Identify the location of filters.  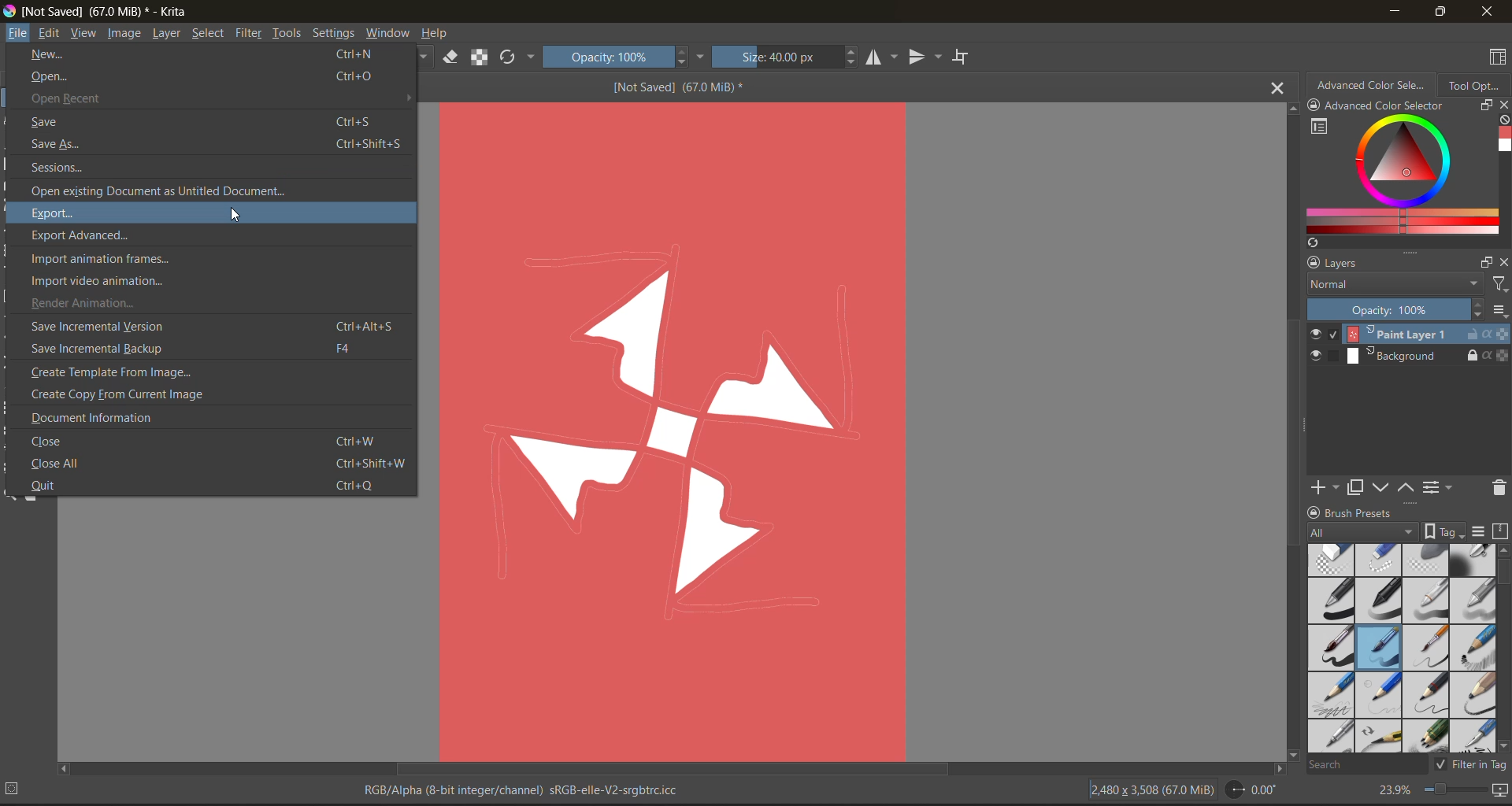
(1499, 287).